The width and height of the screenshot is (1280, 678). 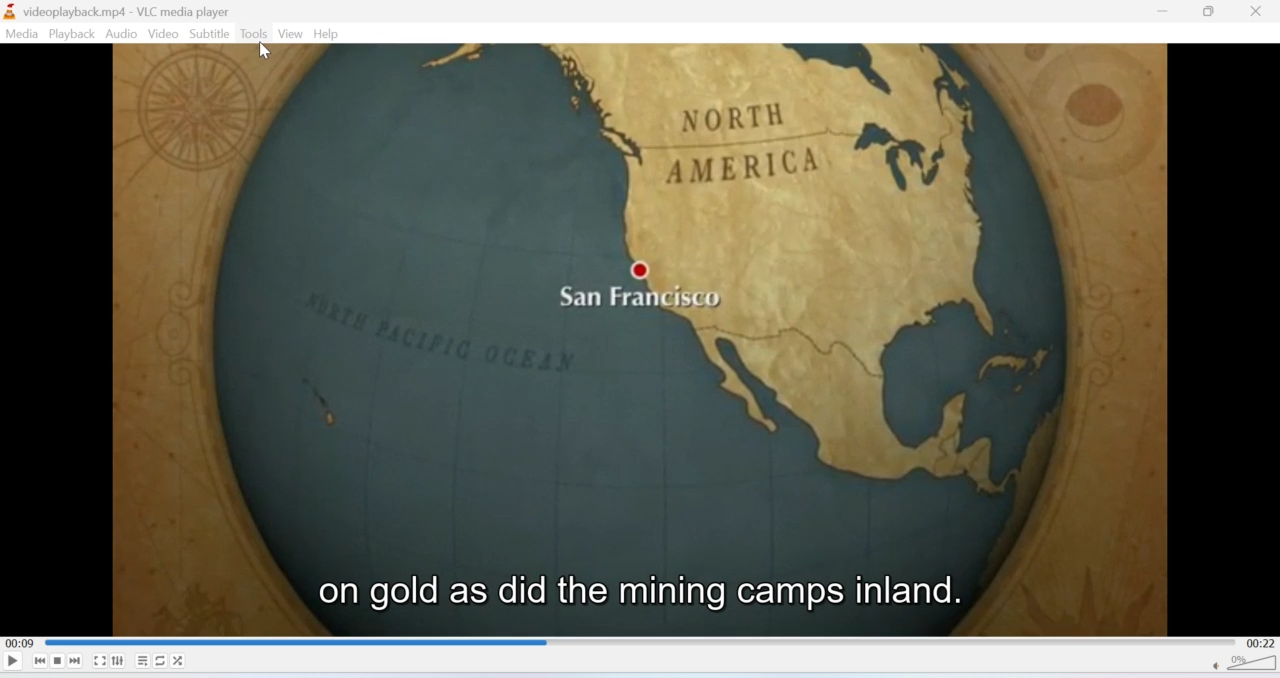 I want to click on Audio, so click(x=122, y=34).